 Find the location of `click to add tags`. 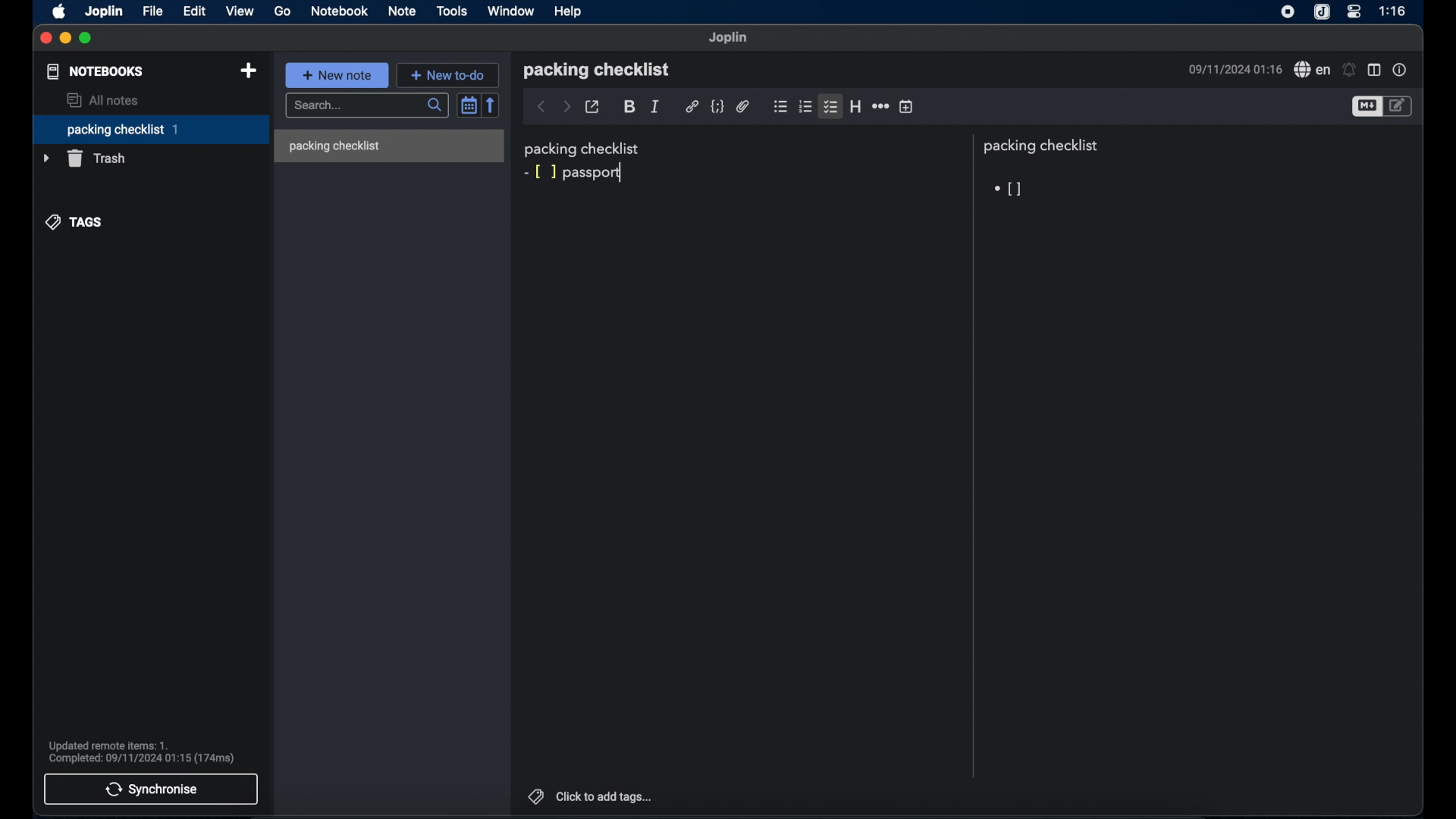

click to add tags is located at coordinates (591, 795).